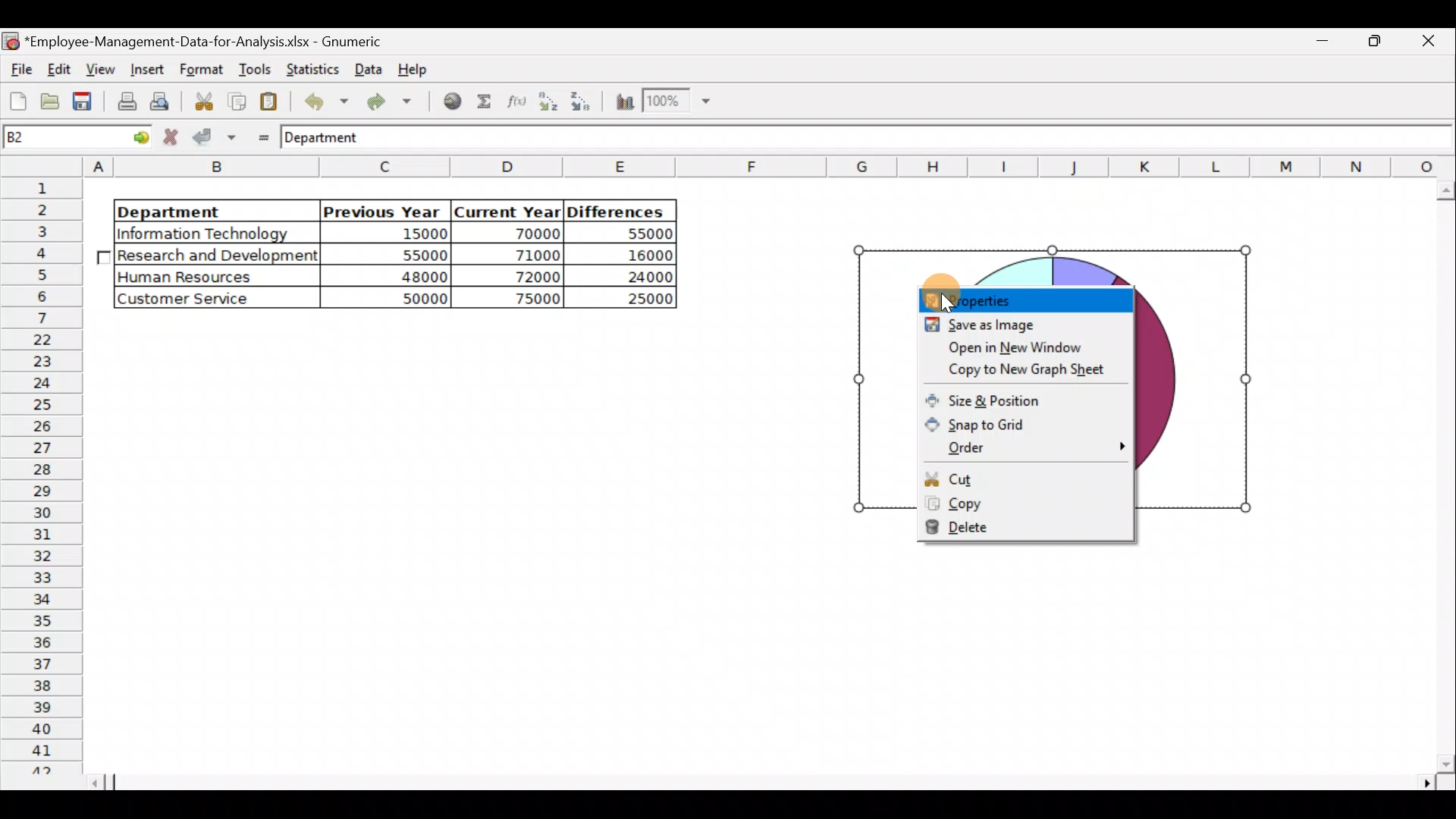  What do you see at coordinates (926, 141) in the screenshot?
I see `Formula bar` at bounding box center [926, 141].